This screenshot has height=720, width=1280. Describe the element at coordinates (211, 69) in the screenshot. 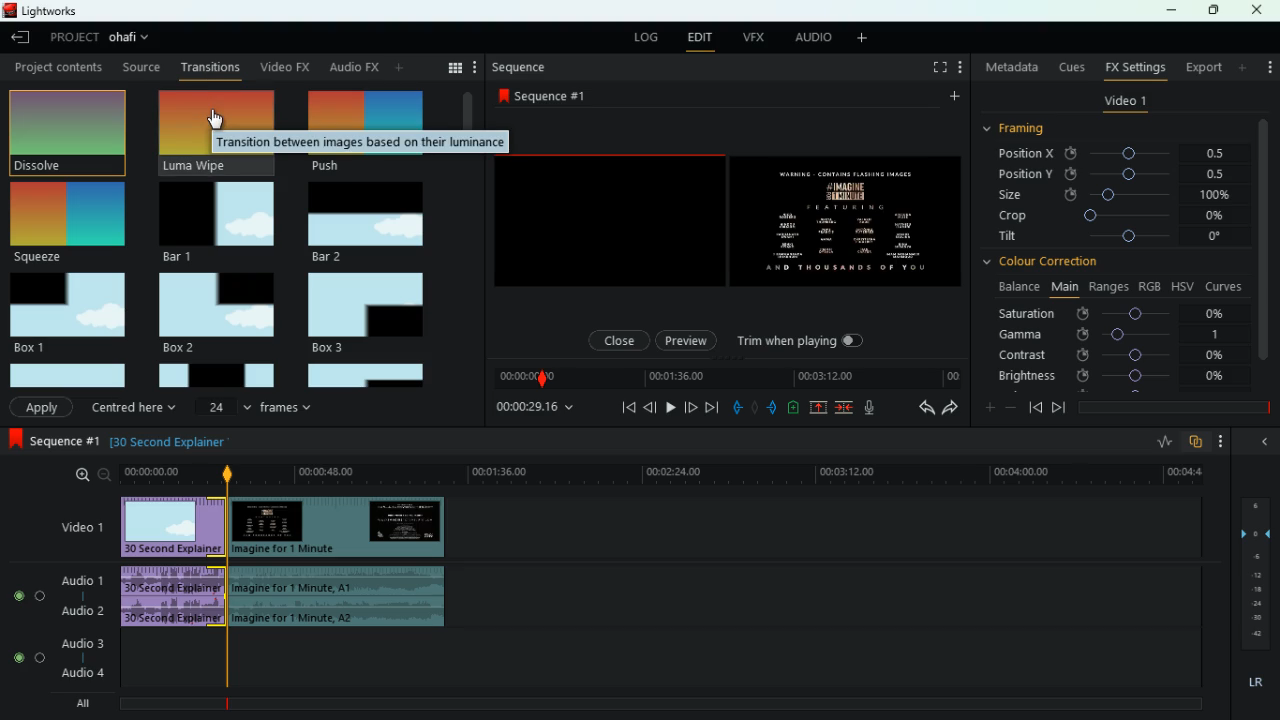

I see `transition` at that location.